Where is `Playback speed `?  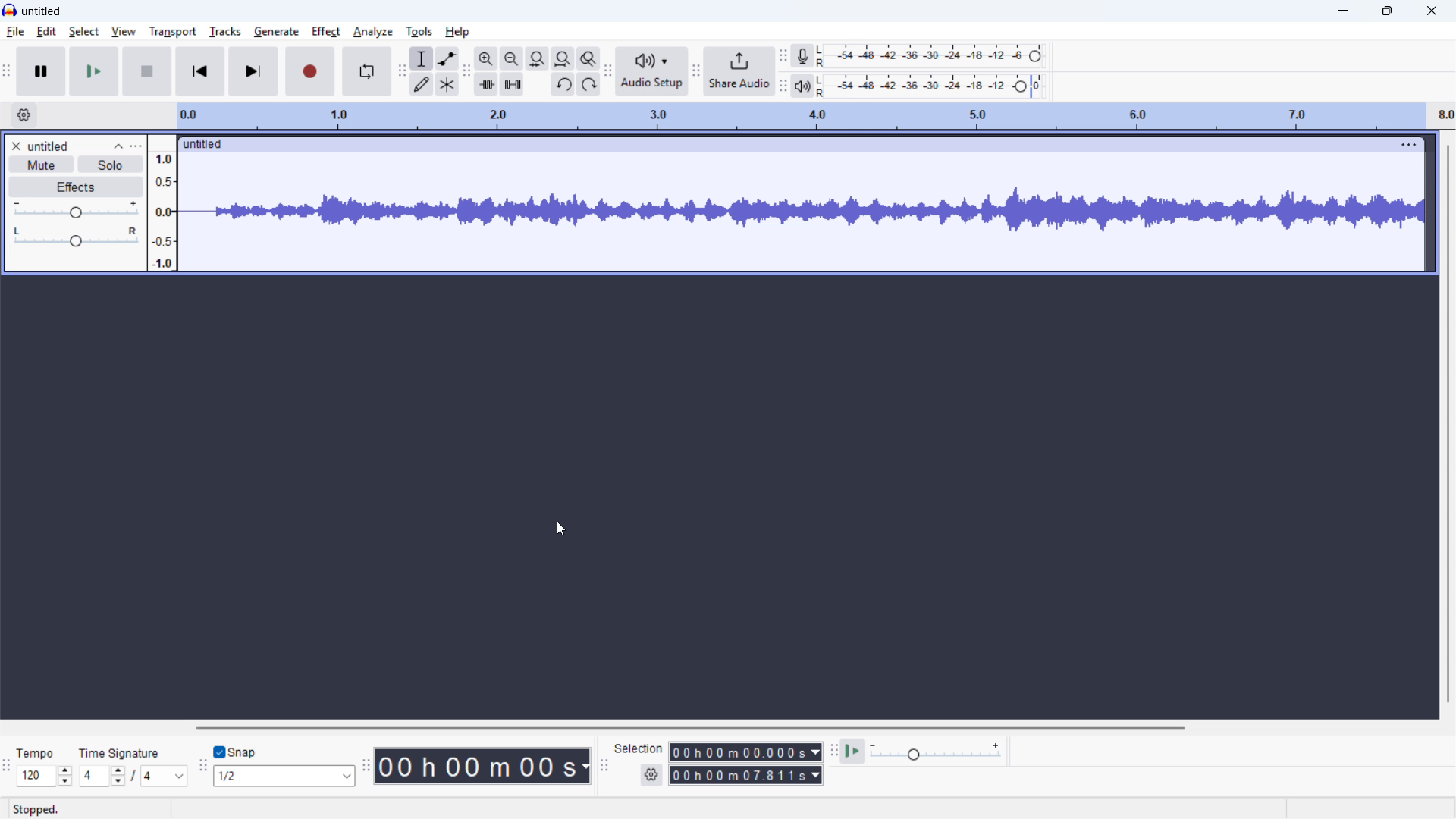 Playback speed  is located at coordinates (935, 752).